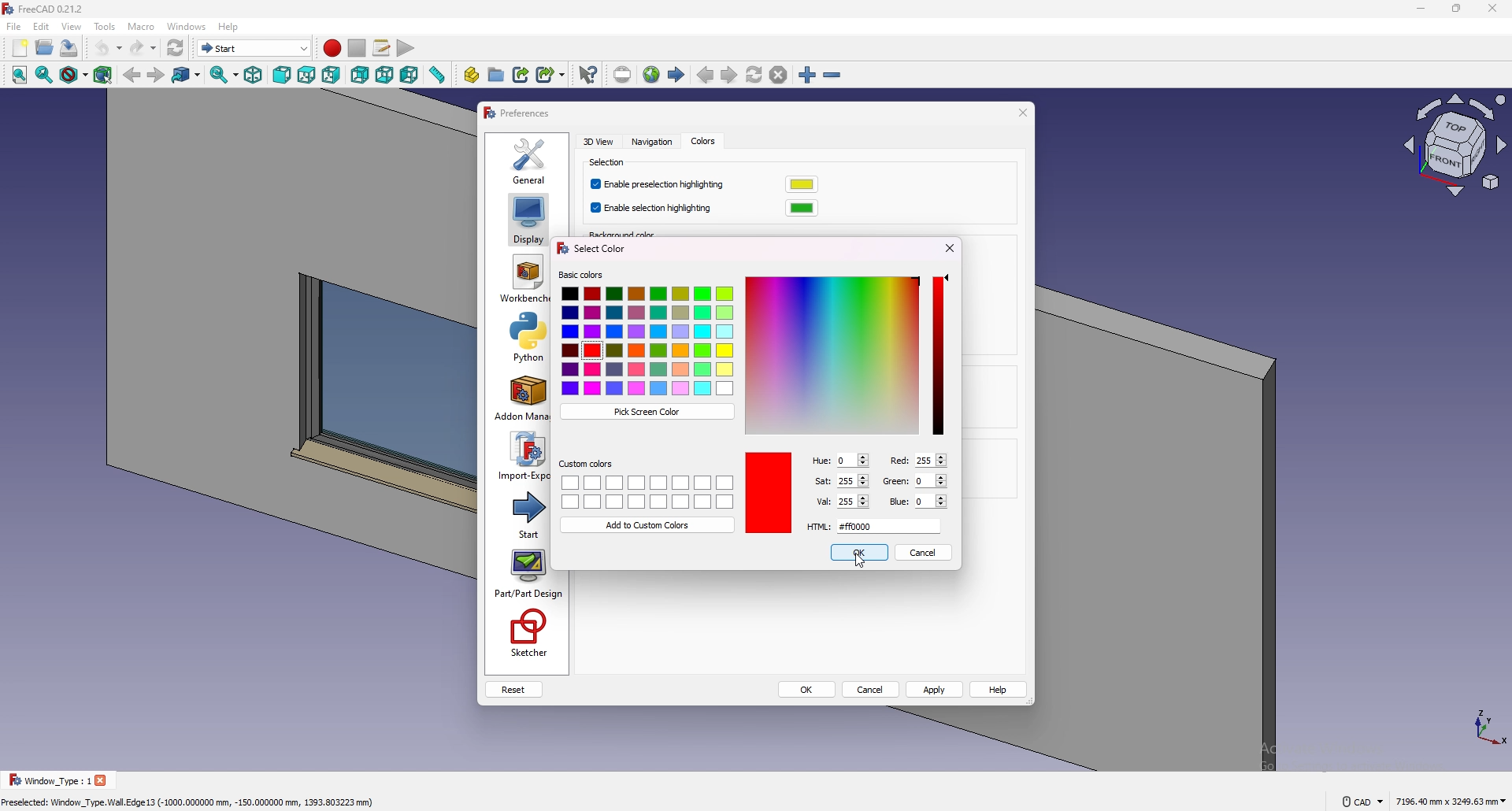 Image resolution: width=1512 pixels, height=811 pixels. I want to click on cancel, so click(872, 691).